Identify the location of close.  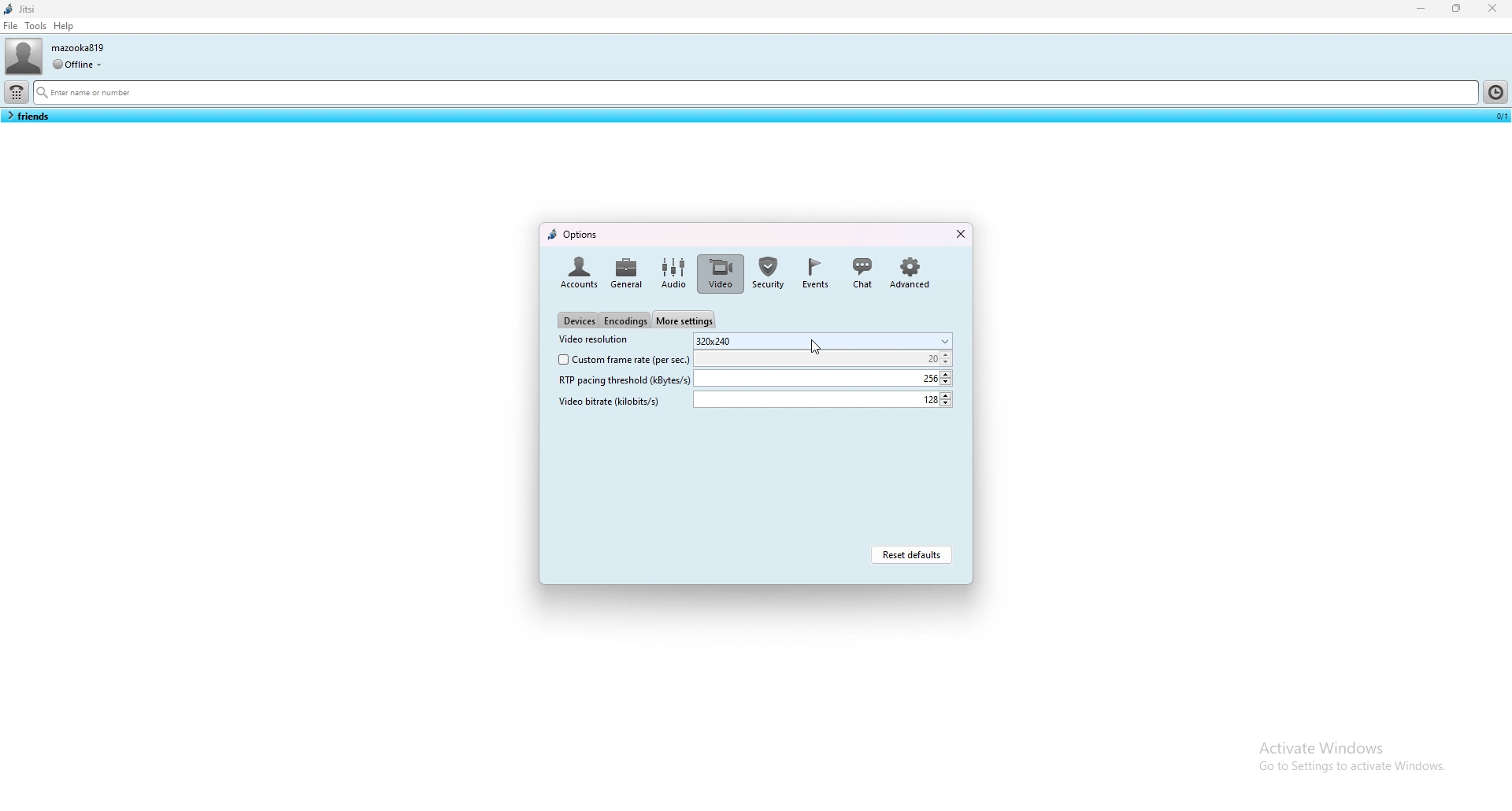
(1492, 8).